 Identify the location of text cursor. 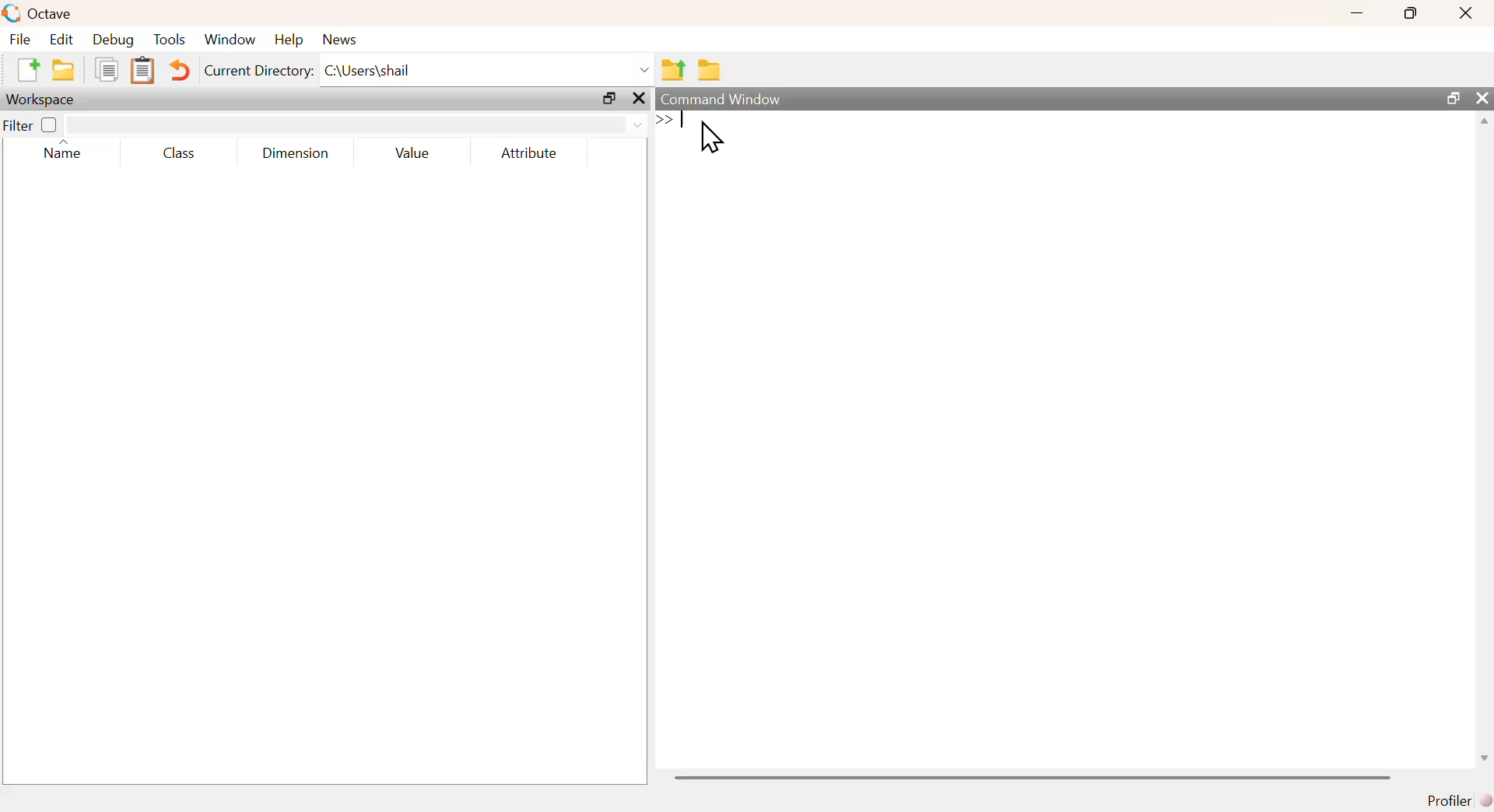
(679, 120).